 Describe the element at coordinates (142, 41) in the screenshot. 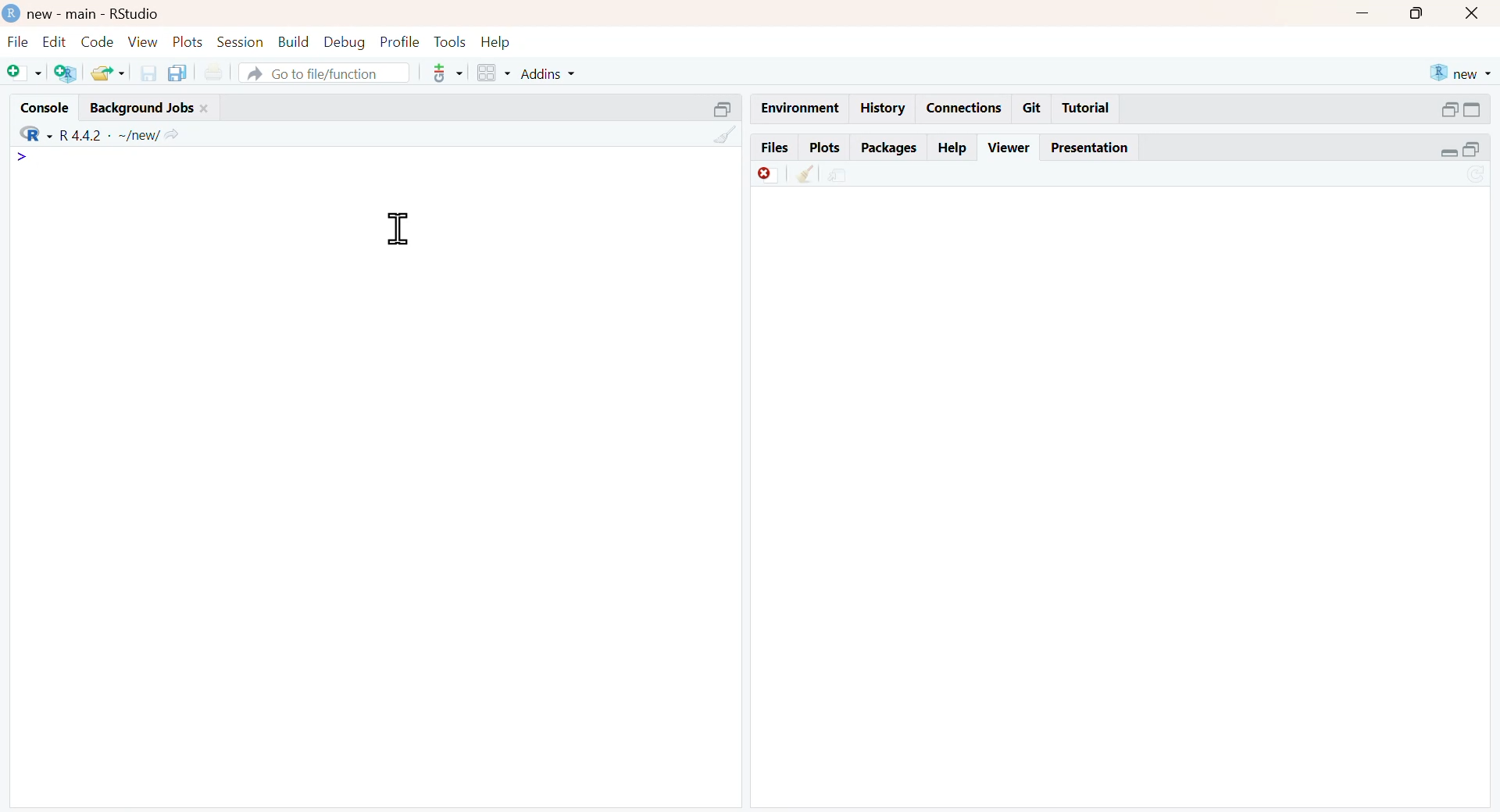

I see `View` at that location.